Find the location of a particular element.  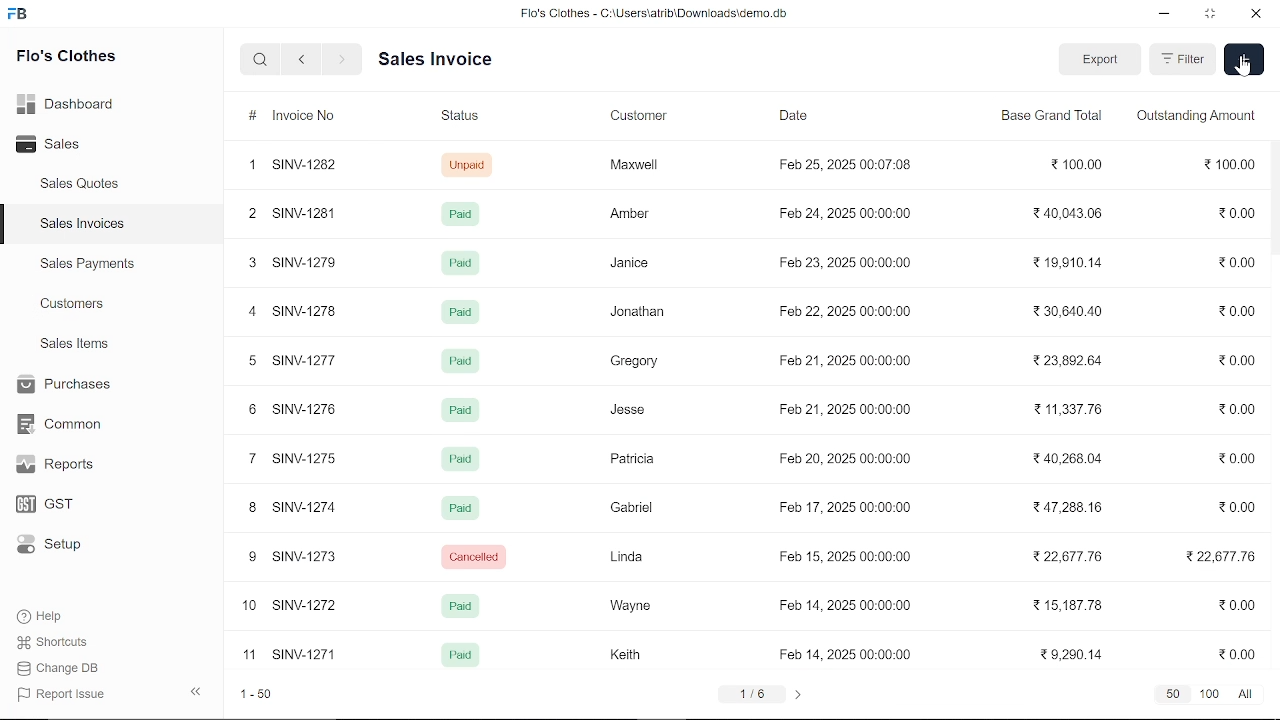

close is located at coordinates (1254, 15).